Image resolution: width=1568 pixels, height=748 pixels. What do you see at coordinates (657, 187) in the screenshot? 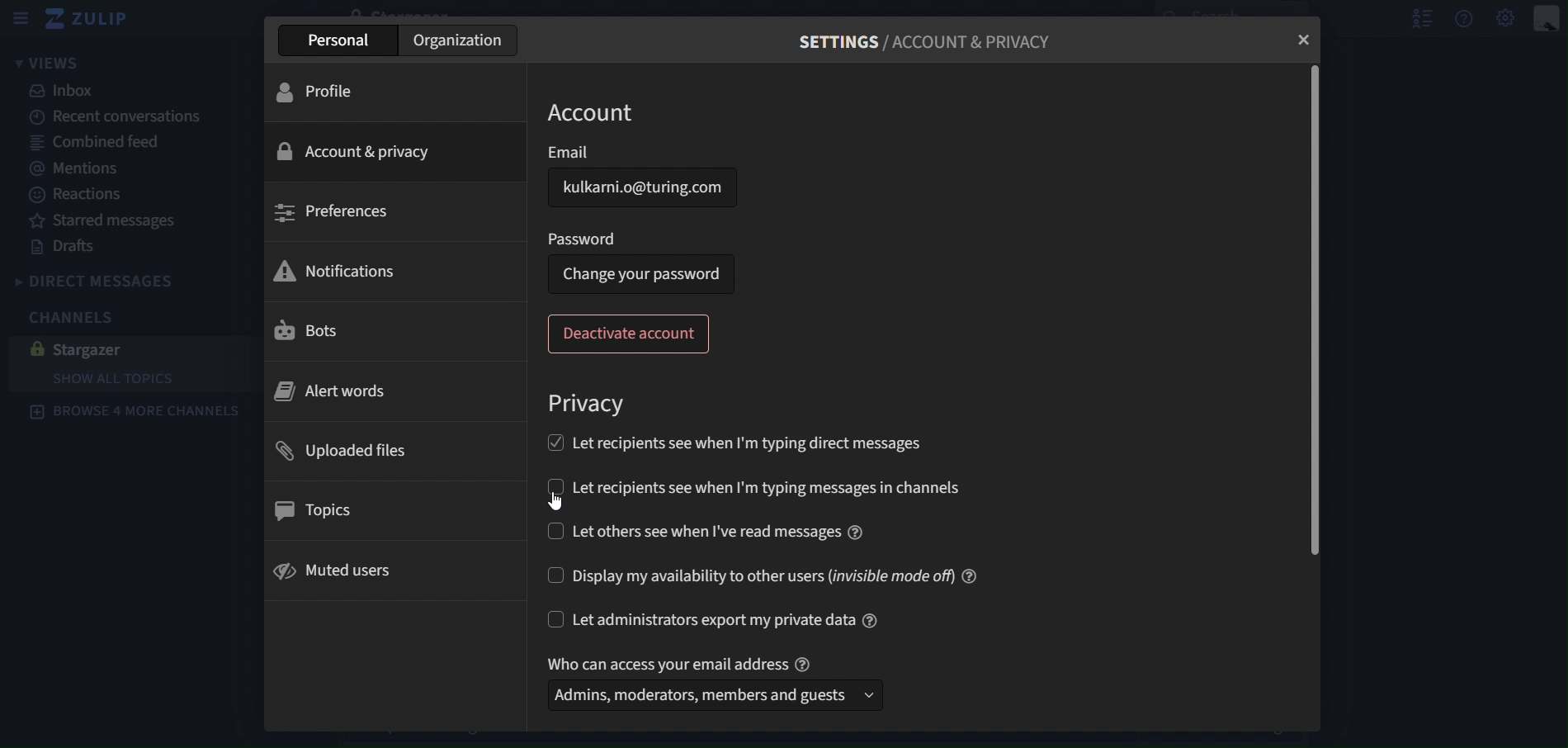
I see `kulkarni.o@turing.com` at bounding box center [657, 187].